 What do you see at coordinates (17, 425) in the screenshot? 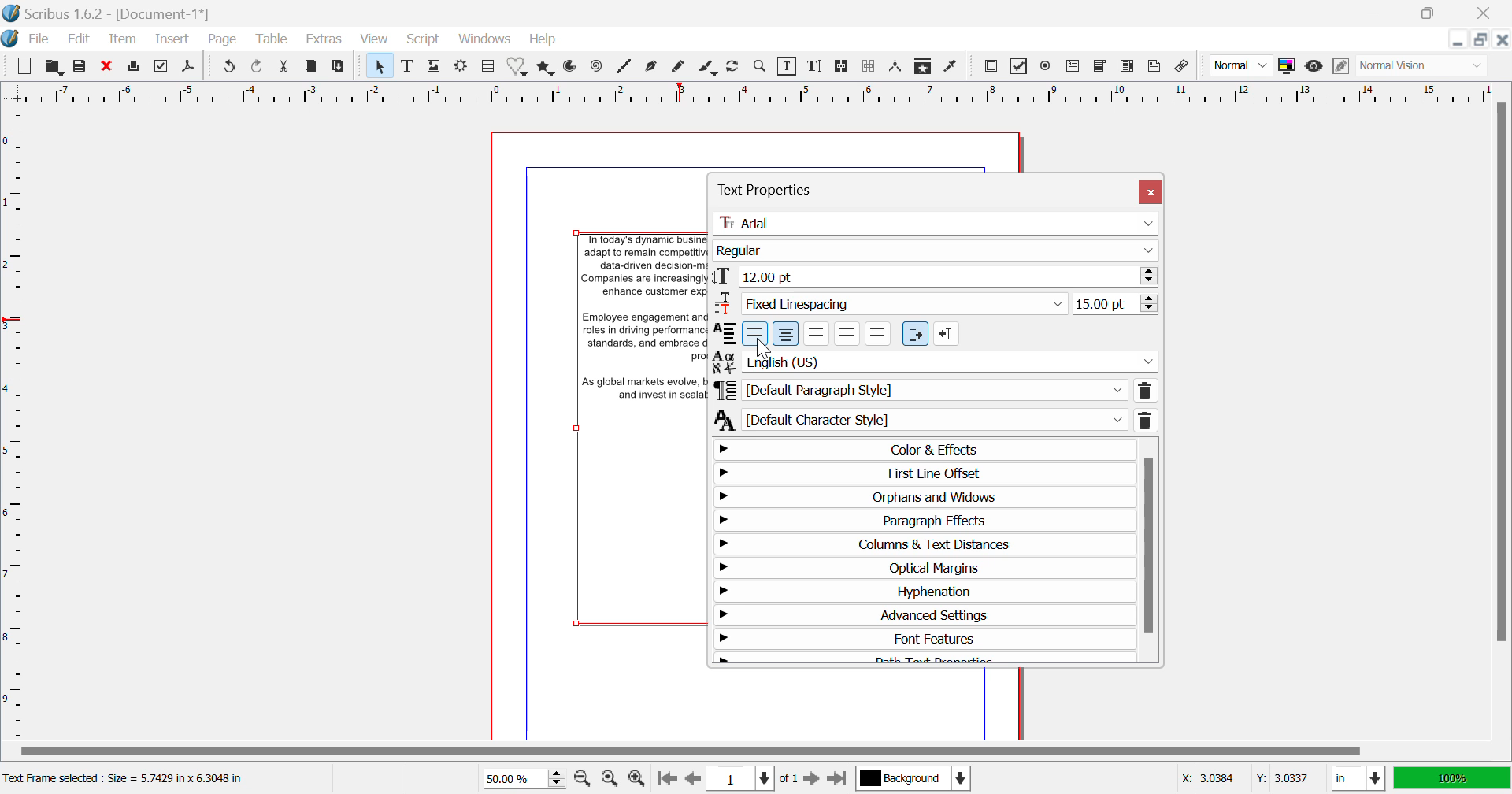
I see `Horizontal Page Margins` at bounding box center [17, 425].